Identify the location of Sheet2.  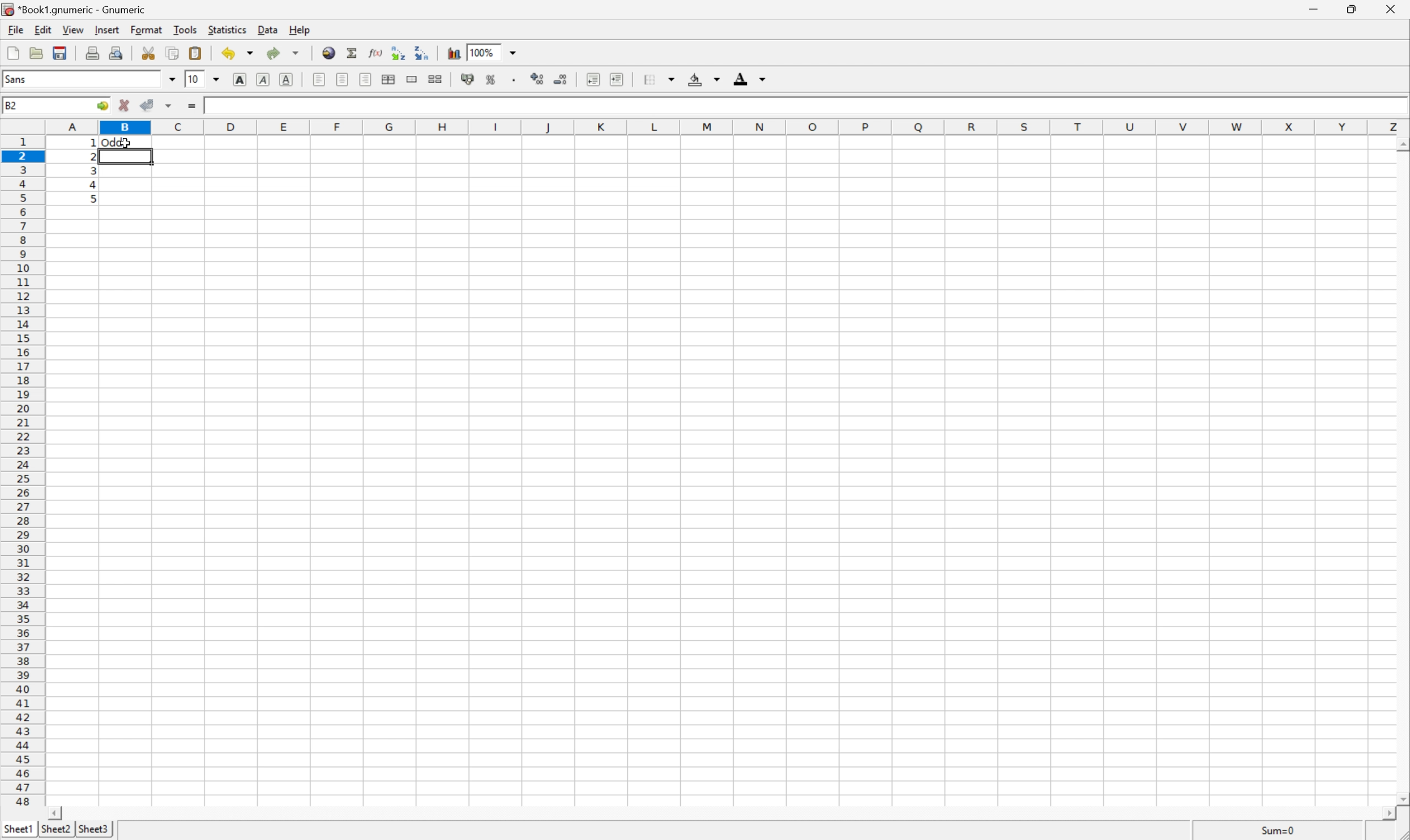
(57, 830).